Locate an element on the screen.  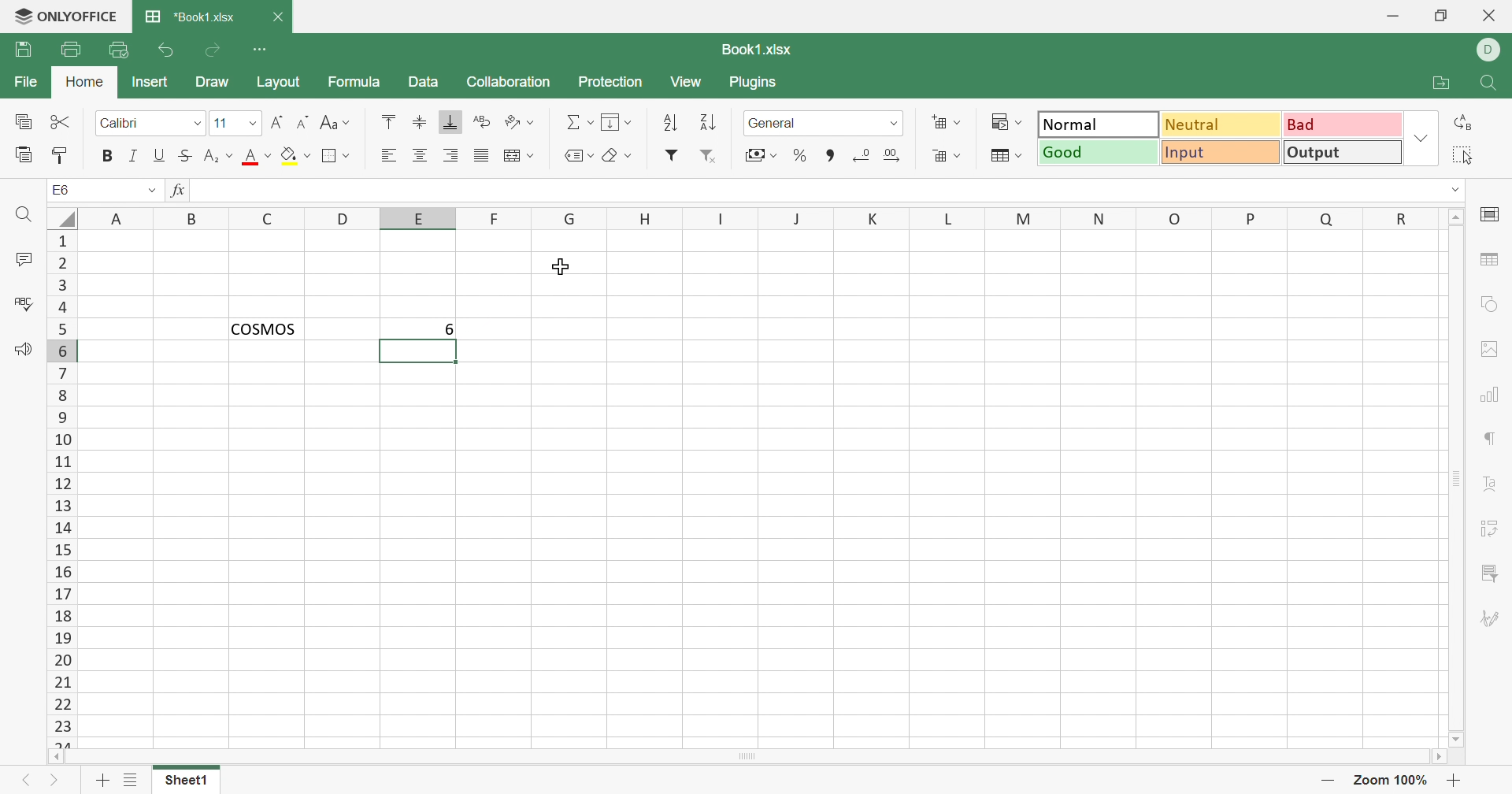
Delete cells is located at coordinates (947, 155).